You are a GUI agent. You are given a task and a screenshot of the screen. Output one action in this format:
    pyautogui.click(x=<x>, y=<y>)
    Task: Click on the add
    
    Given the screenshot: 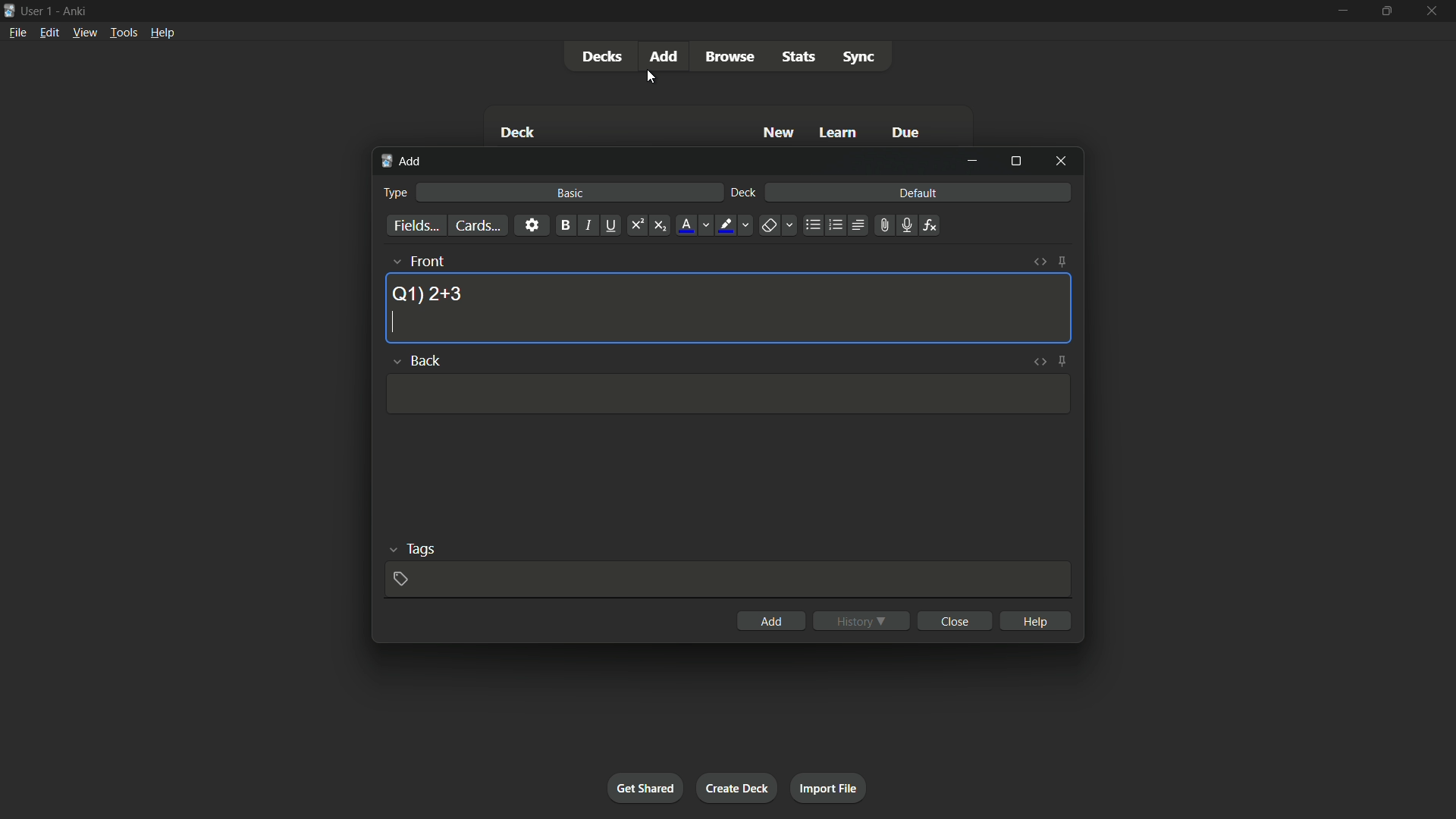 What is the action you would take?
    pyautogui.click(x=667, y=55)
    